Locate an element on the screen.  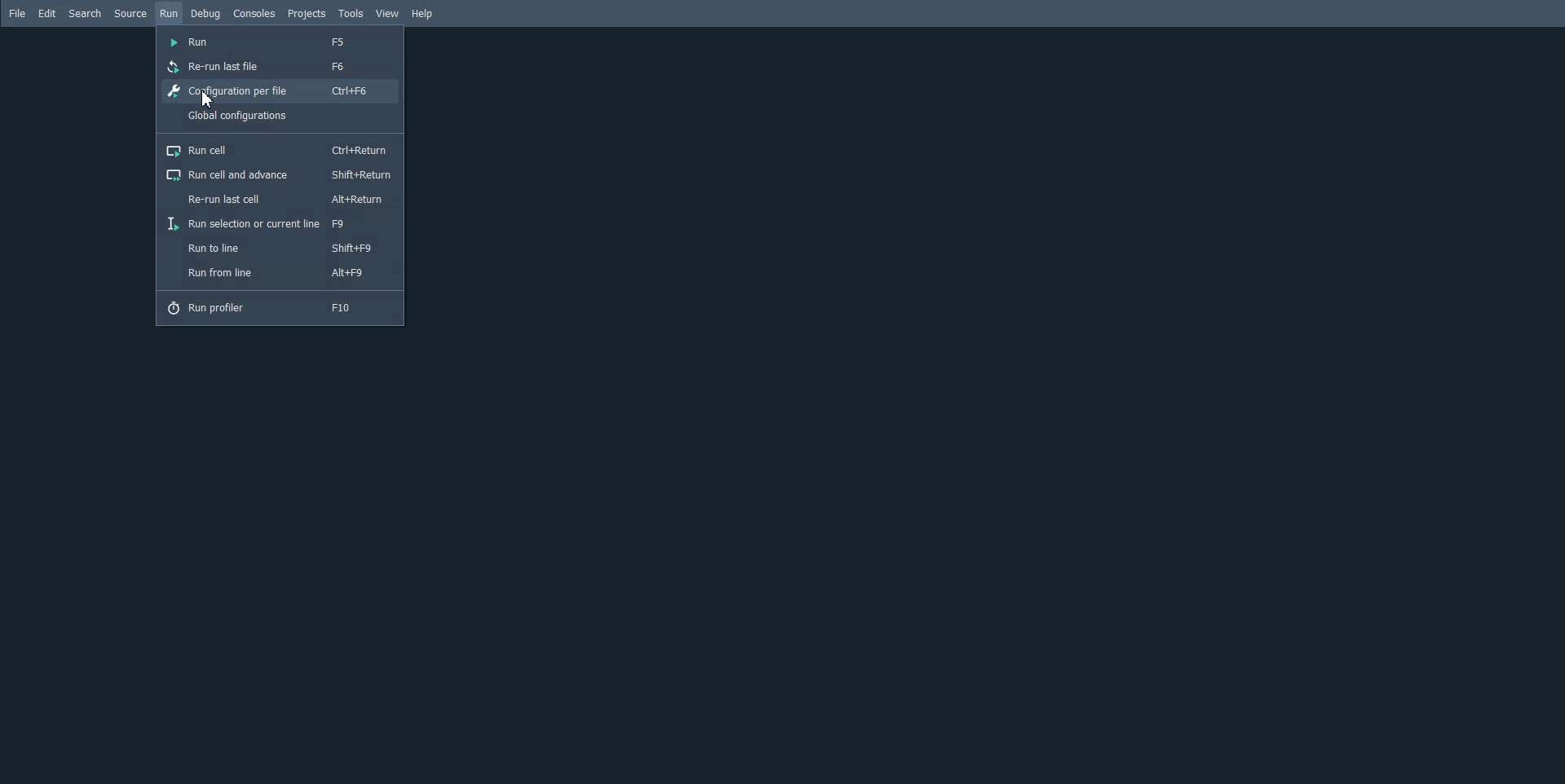
Run Cell is located at coordinates (279, 150).